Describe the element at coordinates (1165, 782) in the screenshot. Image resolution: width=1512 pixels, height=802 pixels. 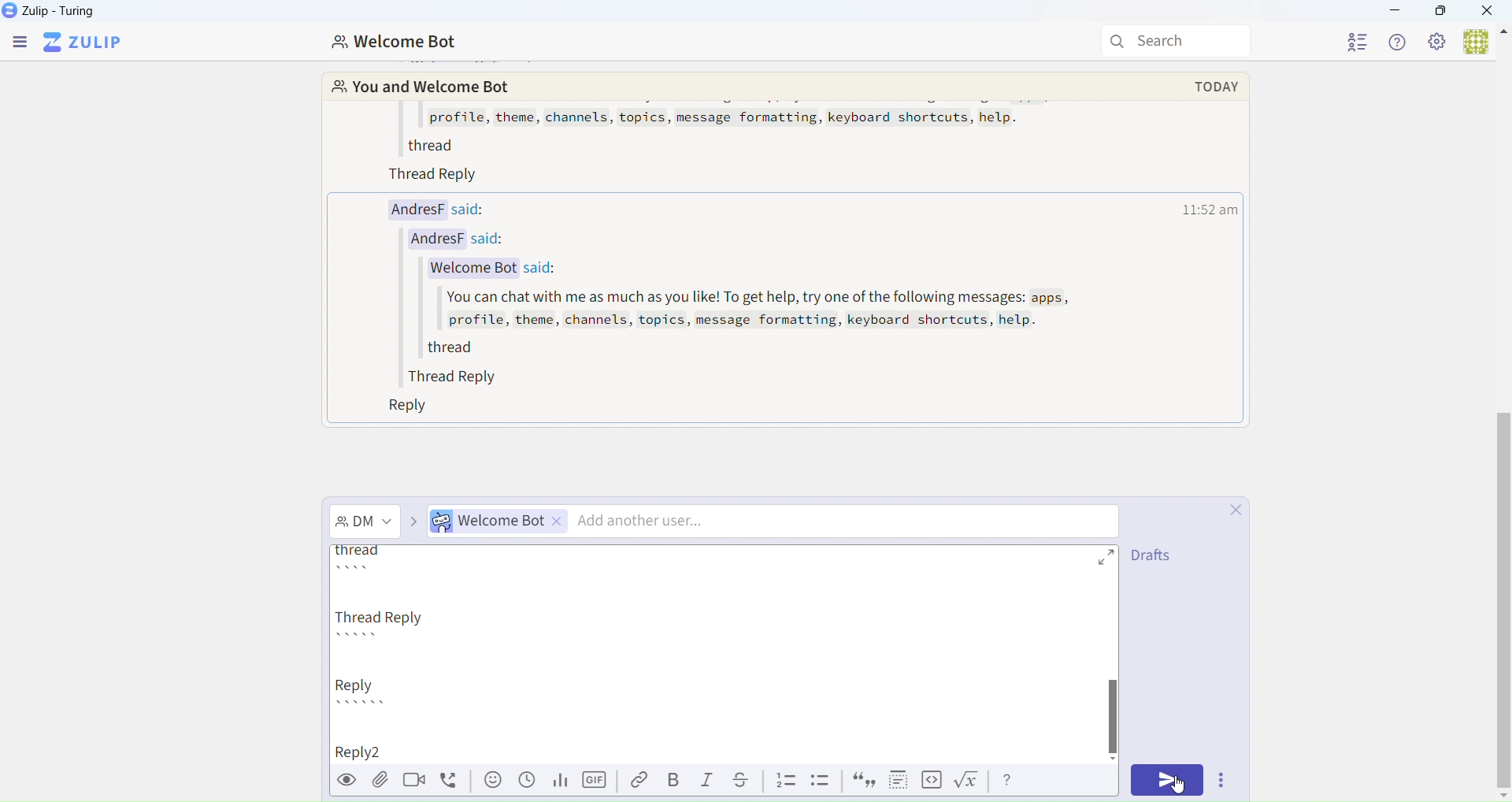
I see `Send` at that location.